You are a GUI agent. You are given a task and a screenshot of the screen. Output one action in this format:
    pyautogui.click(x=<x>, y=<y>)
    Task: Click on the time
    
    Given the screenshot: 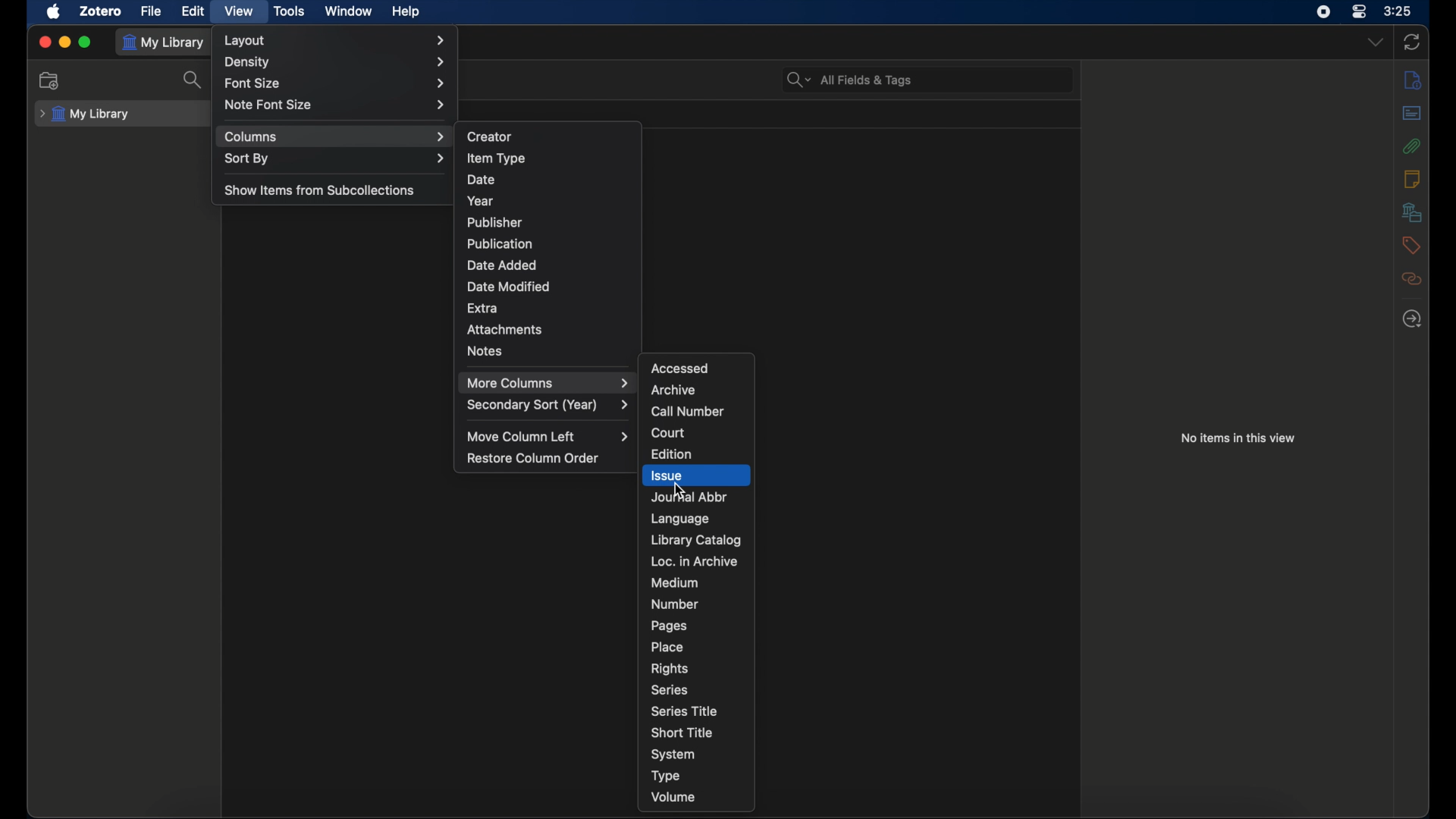 What is the action you would take?
    pyautogui.click(x=1398, y=11)
    